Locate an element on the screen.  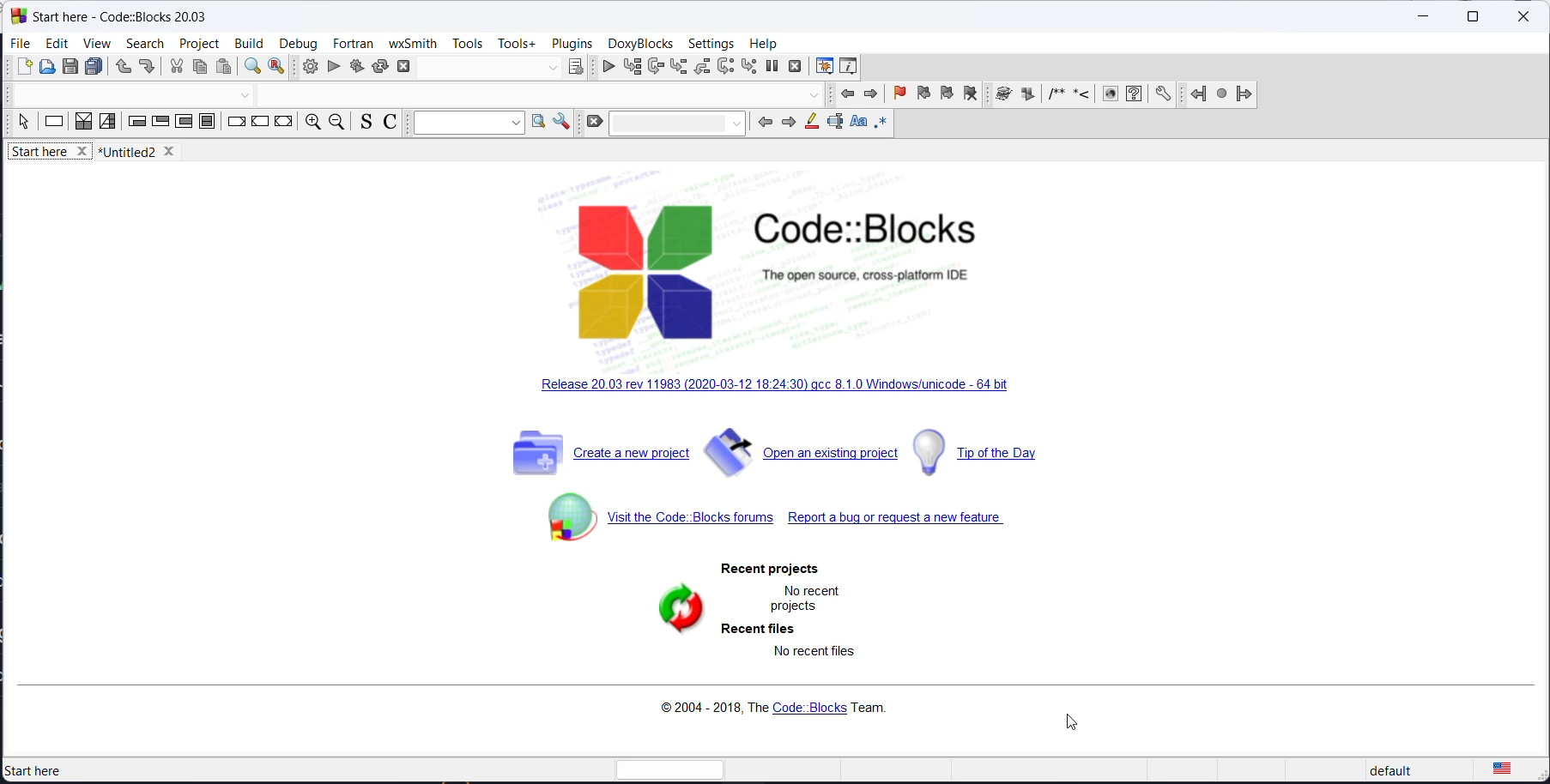
step into instruction is located at coordinates (748, 67).